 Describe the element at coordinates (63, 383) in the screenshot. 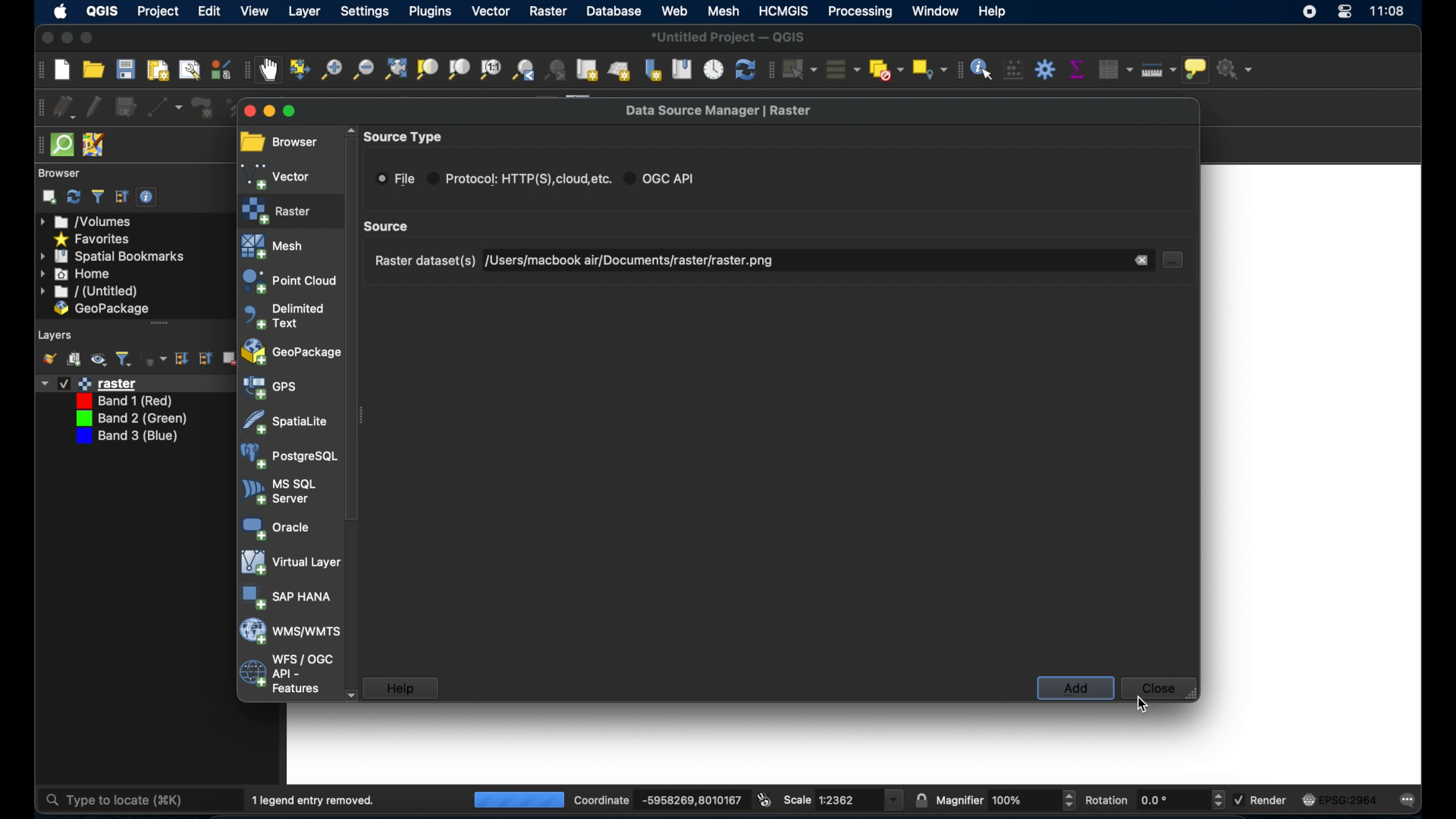

I see `checkbox` at that location.